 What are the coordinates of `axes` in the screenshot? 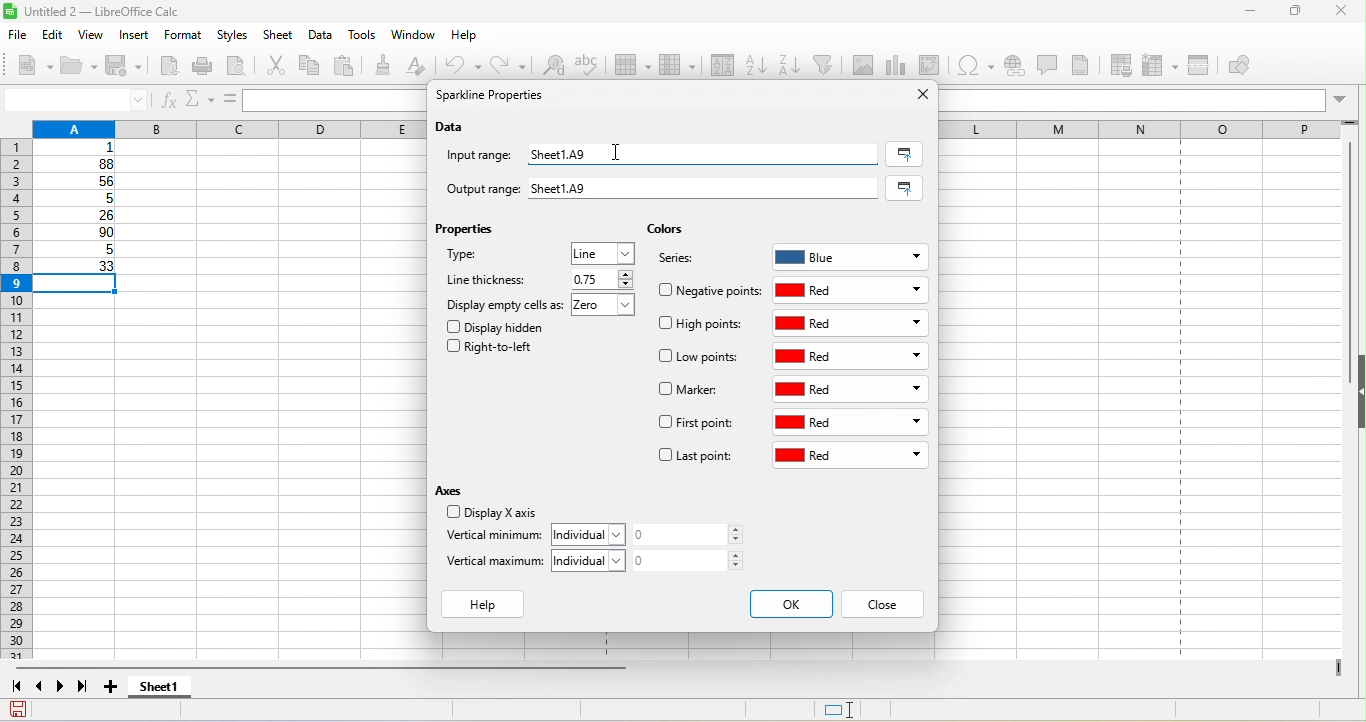 It's located at (453, 490).